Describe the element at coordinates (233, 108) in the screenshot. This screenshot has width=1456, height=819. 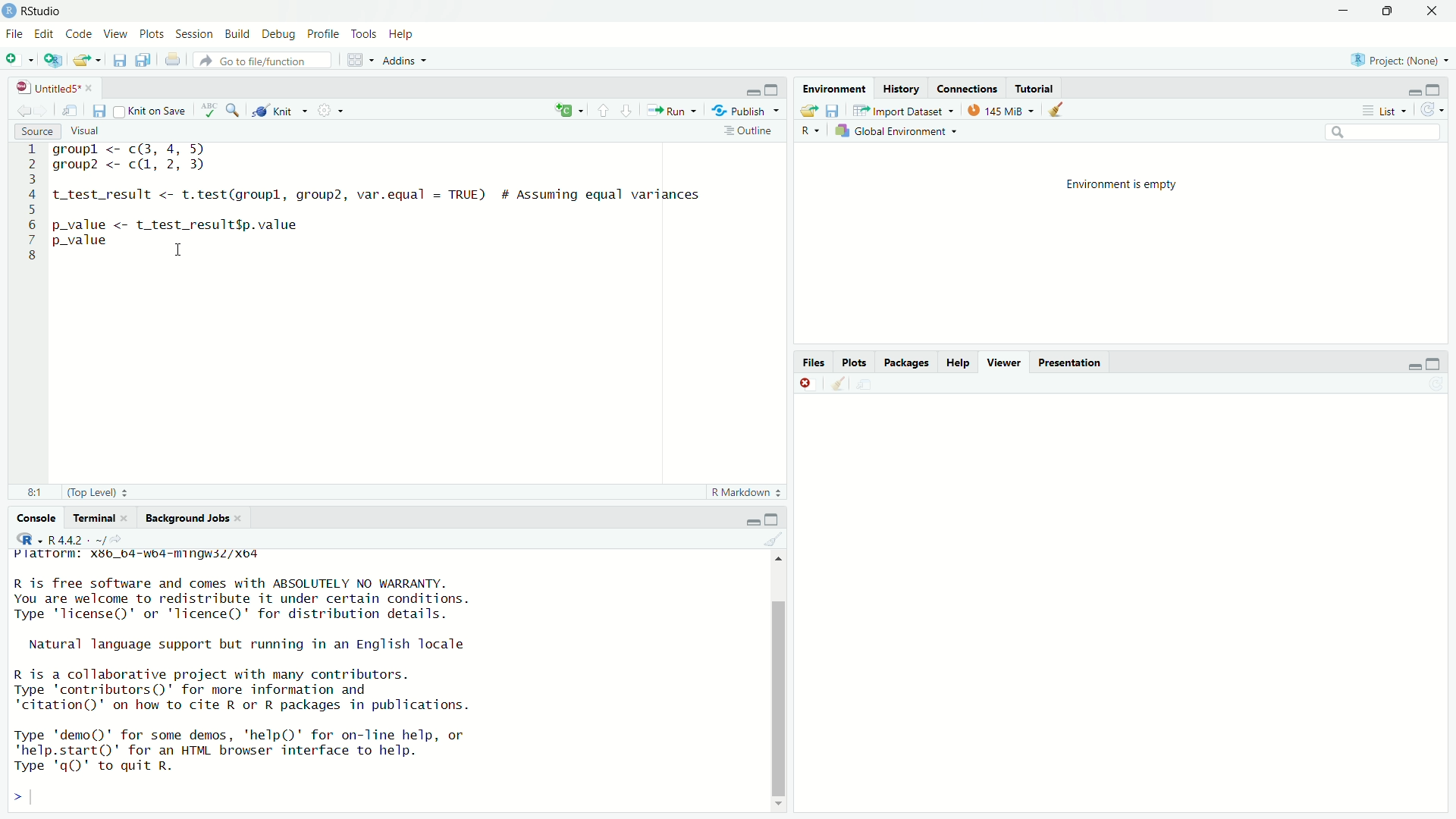
I see `search` at that location.